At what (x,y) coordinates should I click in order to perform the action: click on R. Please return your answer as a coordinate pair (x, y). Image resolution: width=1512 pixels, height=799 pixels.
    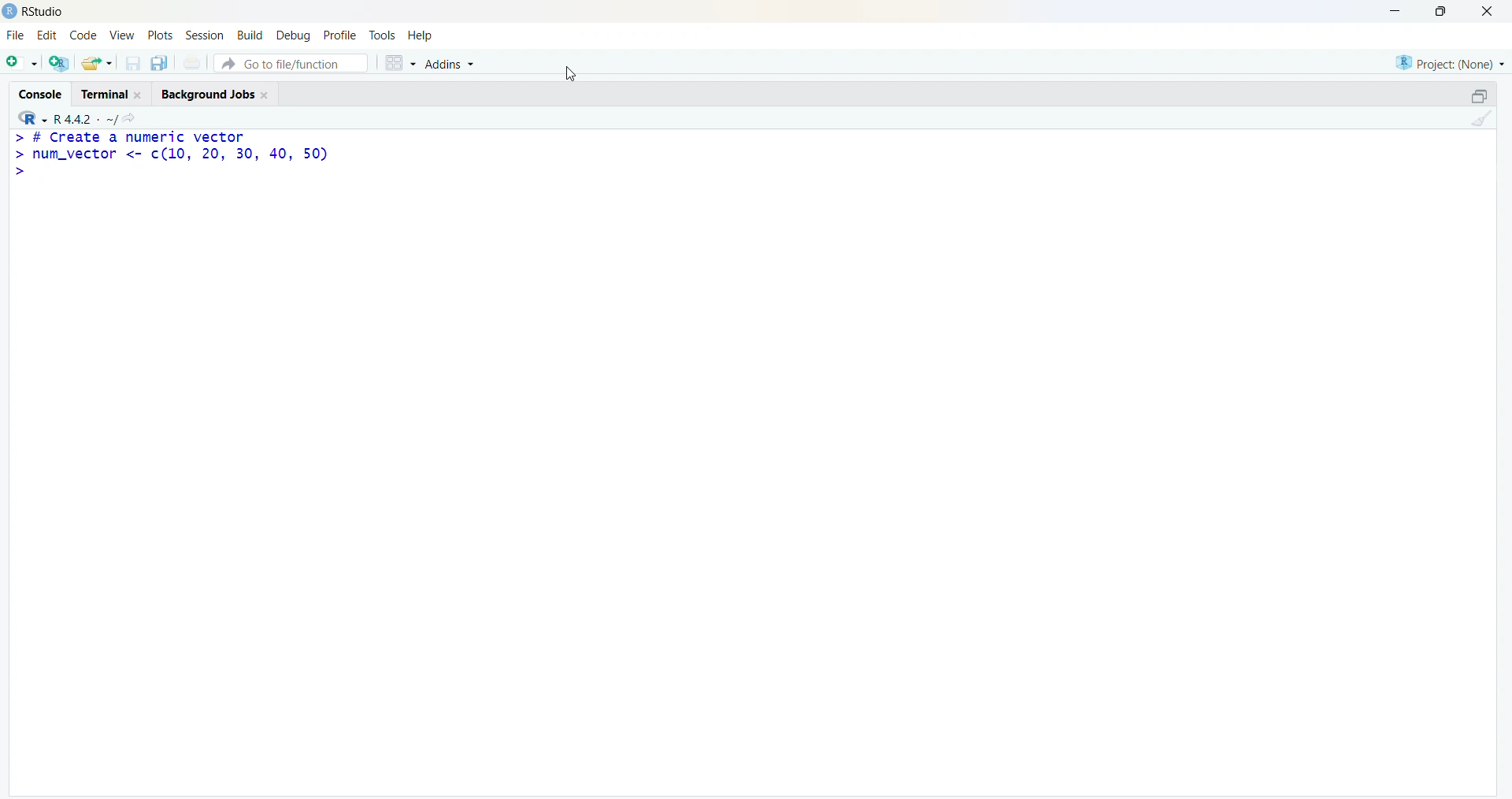
    Looking at the image, I should click on (31, 118).